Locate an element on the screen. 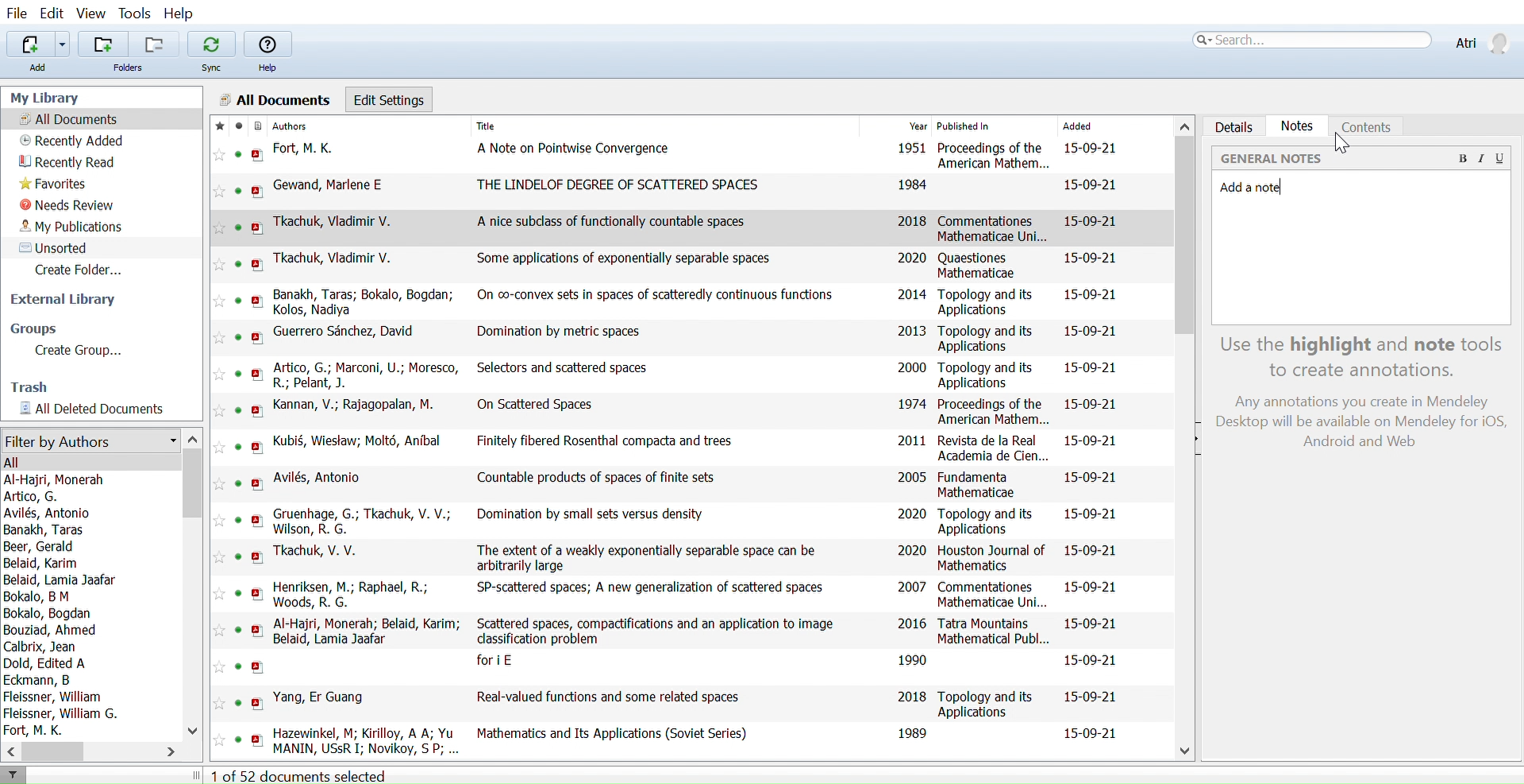 Image resolution: width=1524 pixels, height=784 pixels. Tkachuk, Vladimir V. is located at coordinates (336, 222).